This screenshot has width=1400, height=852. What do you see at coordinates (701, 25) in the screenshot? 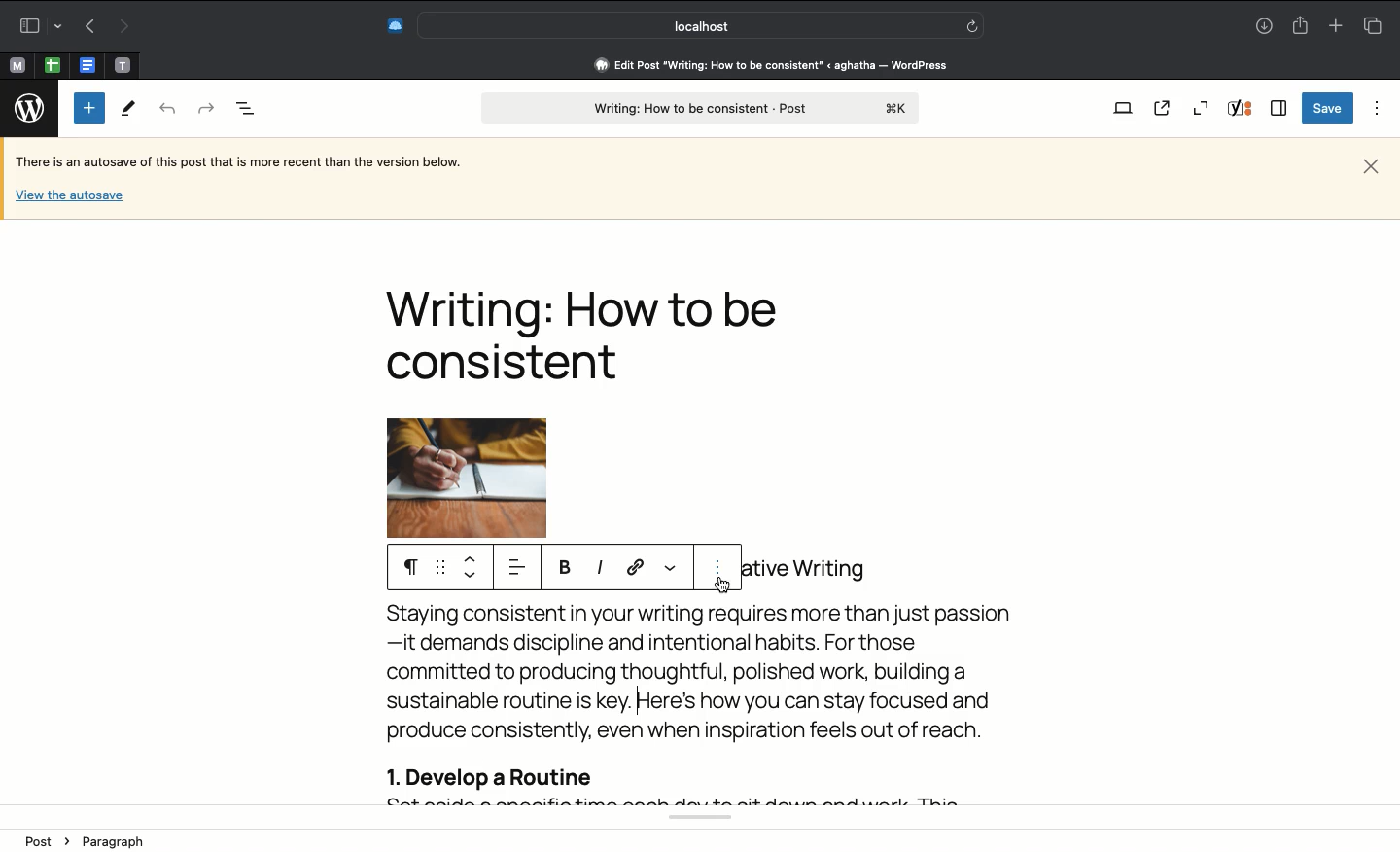
I see `Search bar` at bounding box center [701, 25].